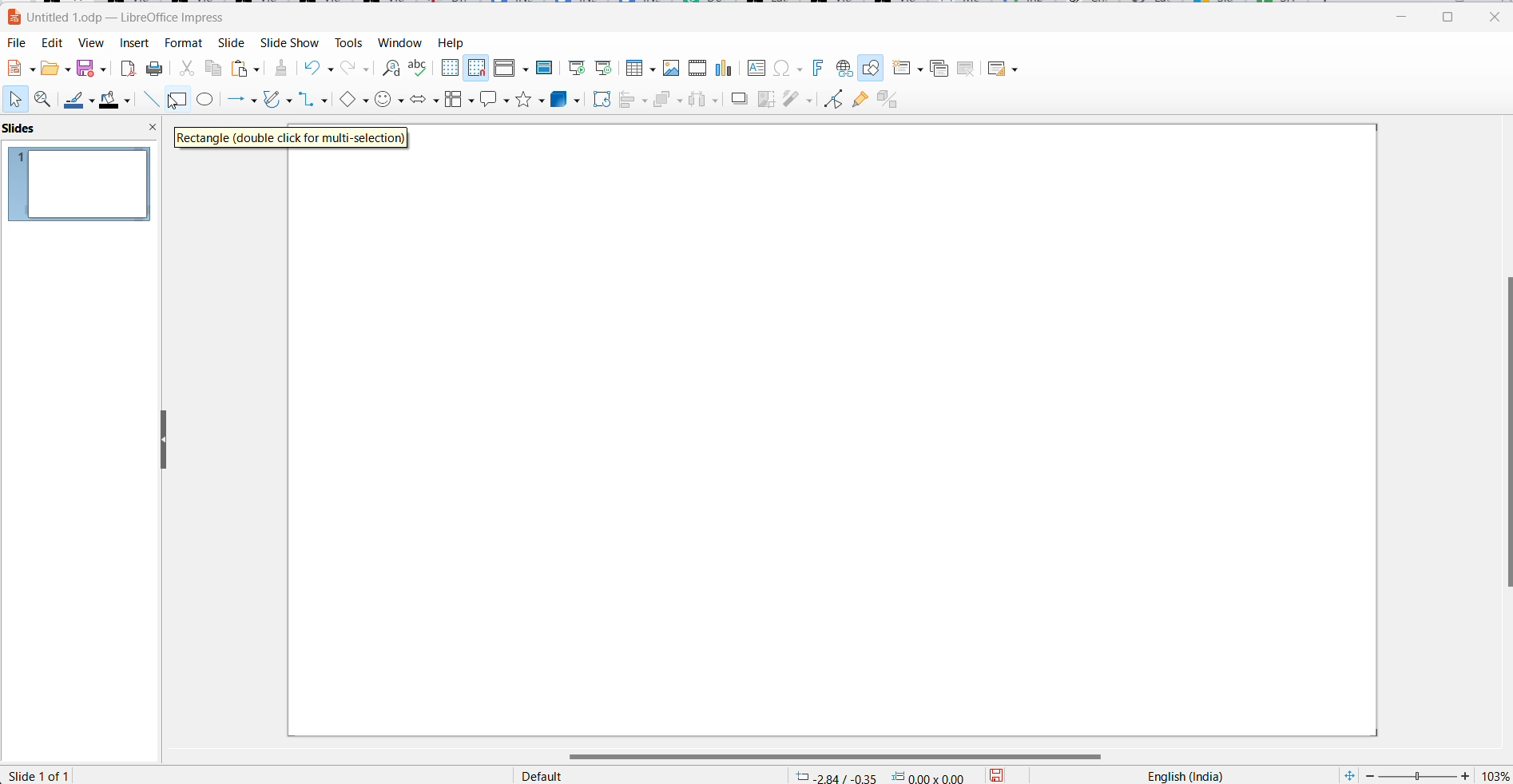  What do you see at coordinates (157, 438) in the screenshot?
I see `resize` at bounding box center [157, 438].